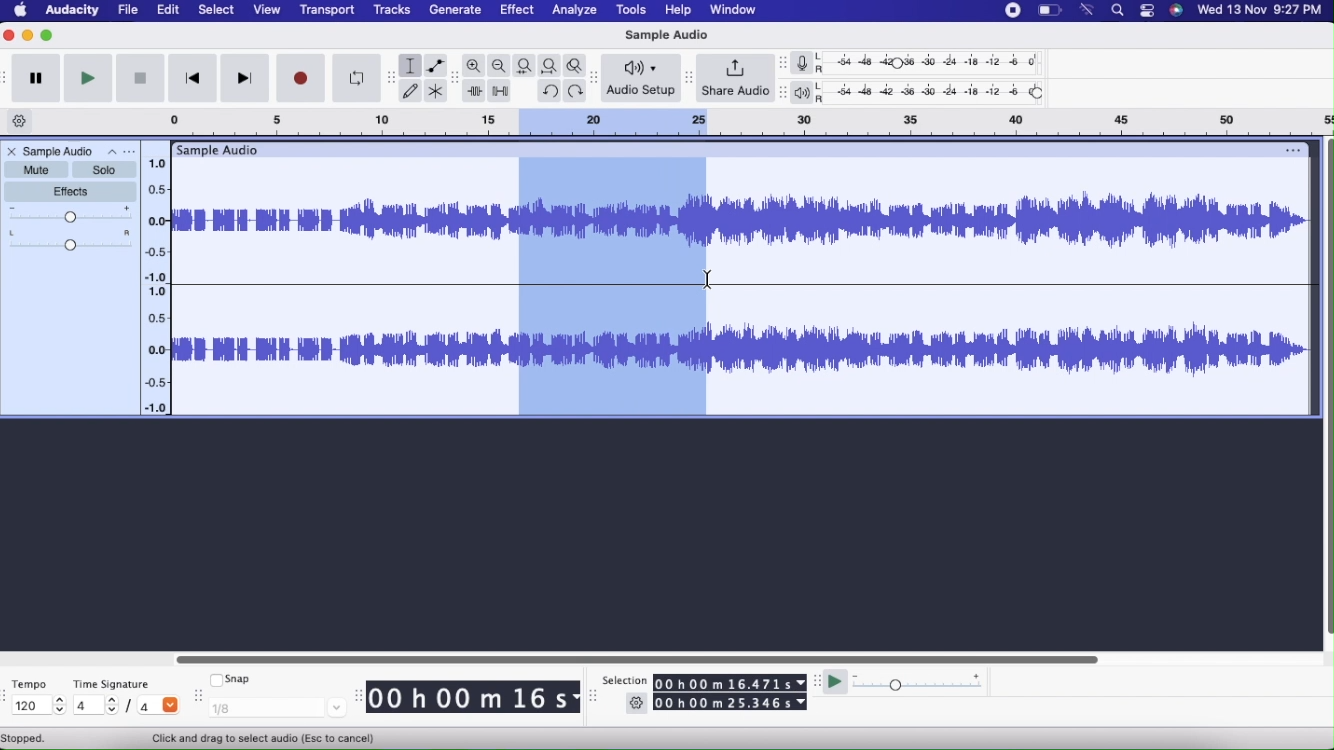 The image size is (1334, 750). Describe the element at coordinates (36, 79) in the screenshot. I see `Pause` at that location.